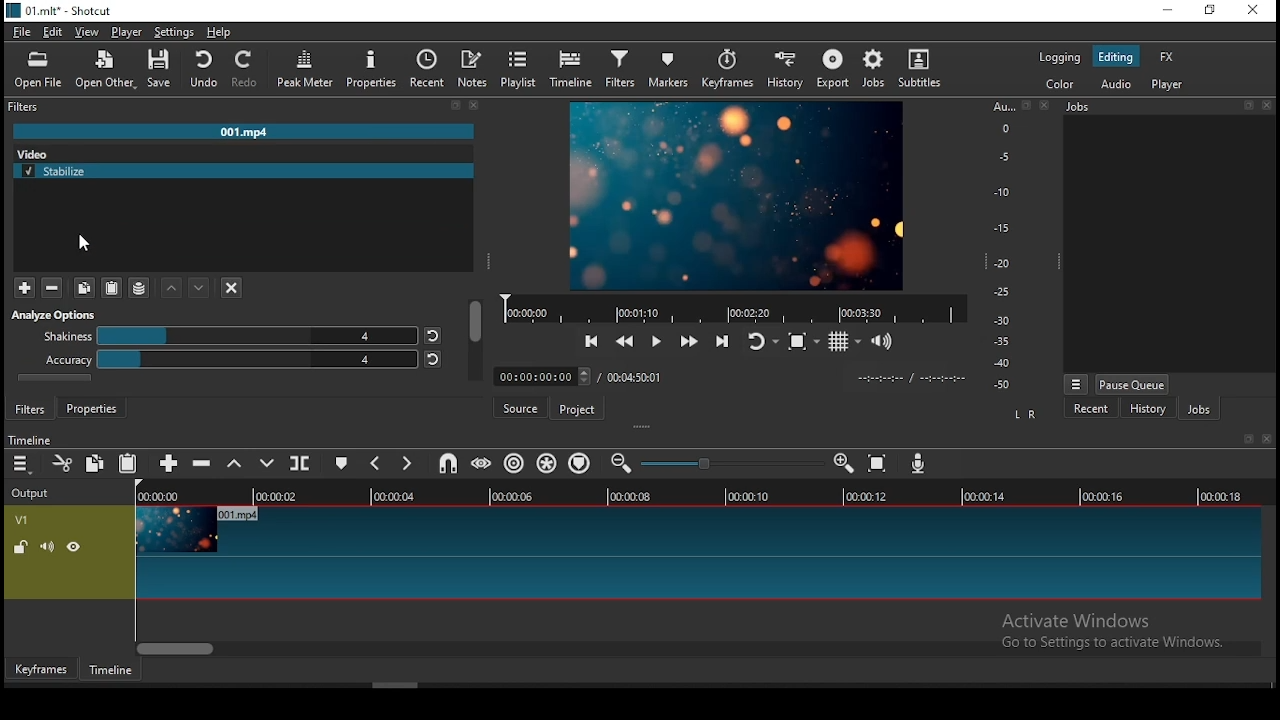 This screenshot has width=1280, height=720. Describe the element at coordinates (35, 409) in the screenshot. I see `filters` at that location.